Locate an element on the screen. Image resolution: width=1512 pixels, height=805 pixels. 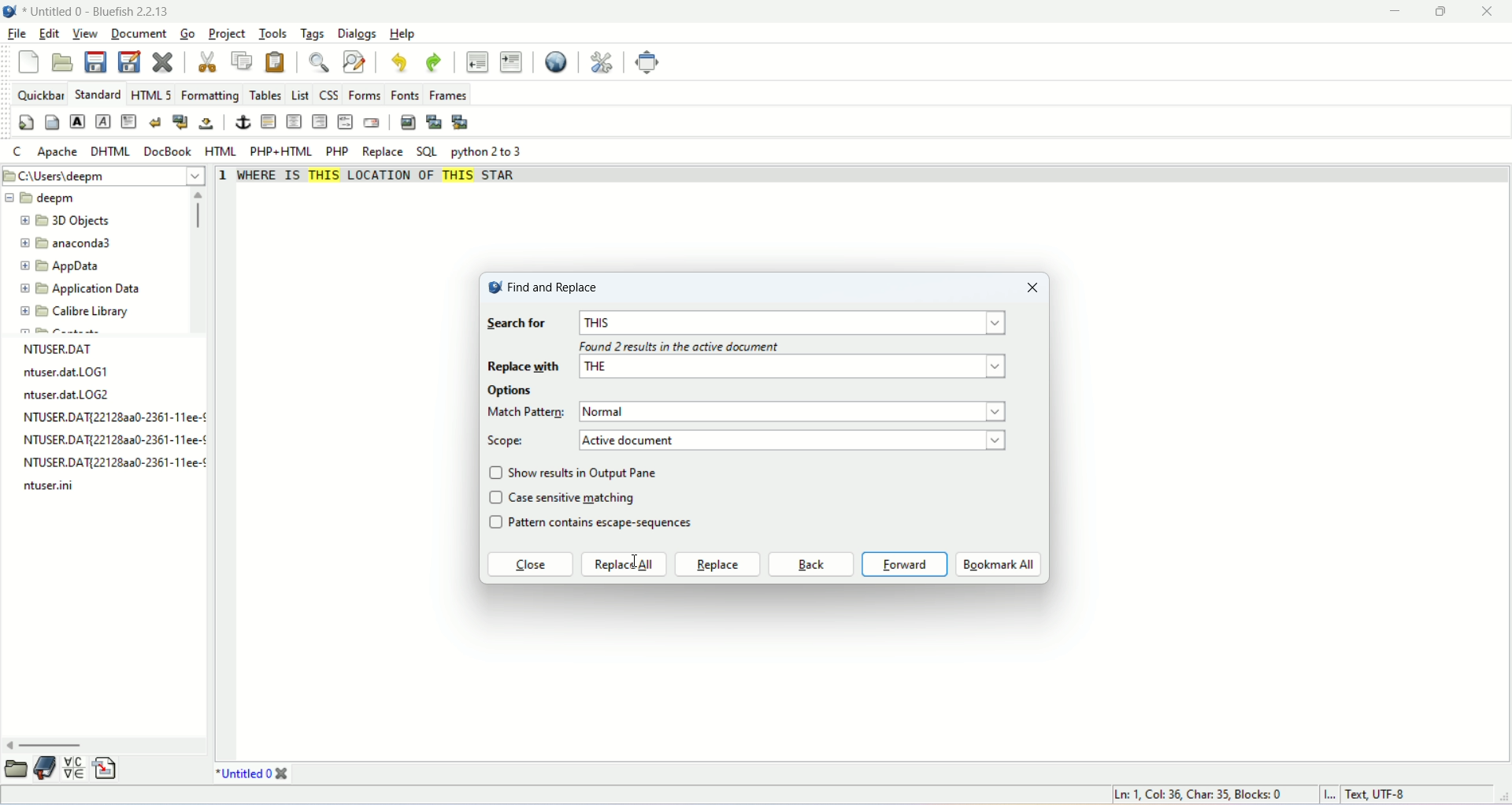
maximize is located at coordinates (1452, 12).